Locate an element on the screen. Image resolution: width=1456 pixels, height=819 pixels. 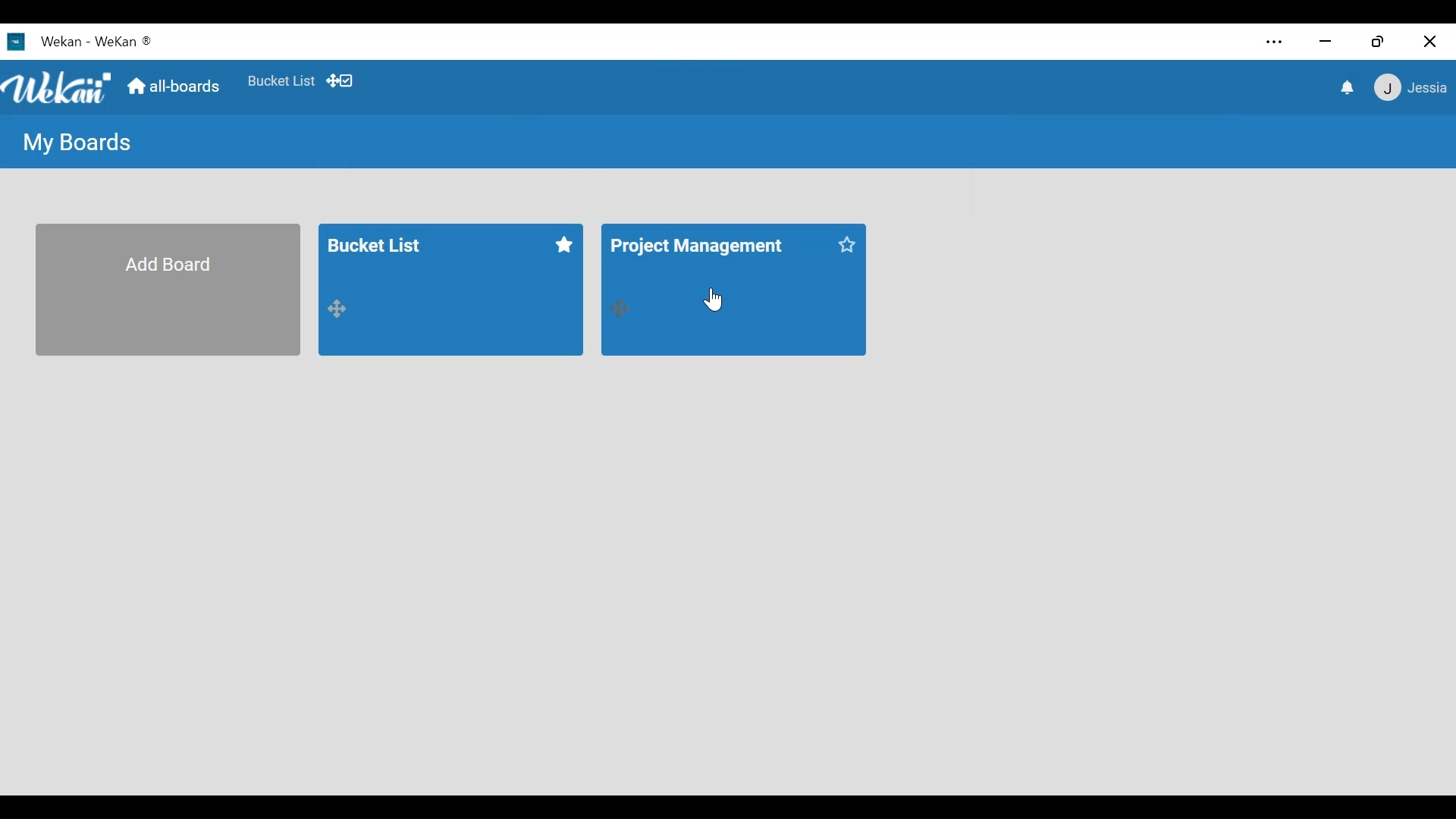
minimize is located at coordinates (1328, 43).